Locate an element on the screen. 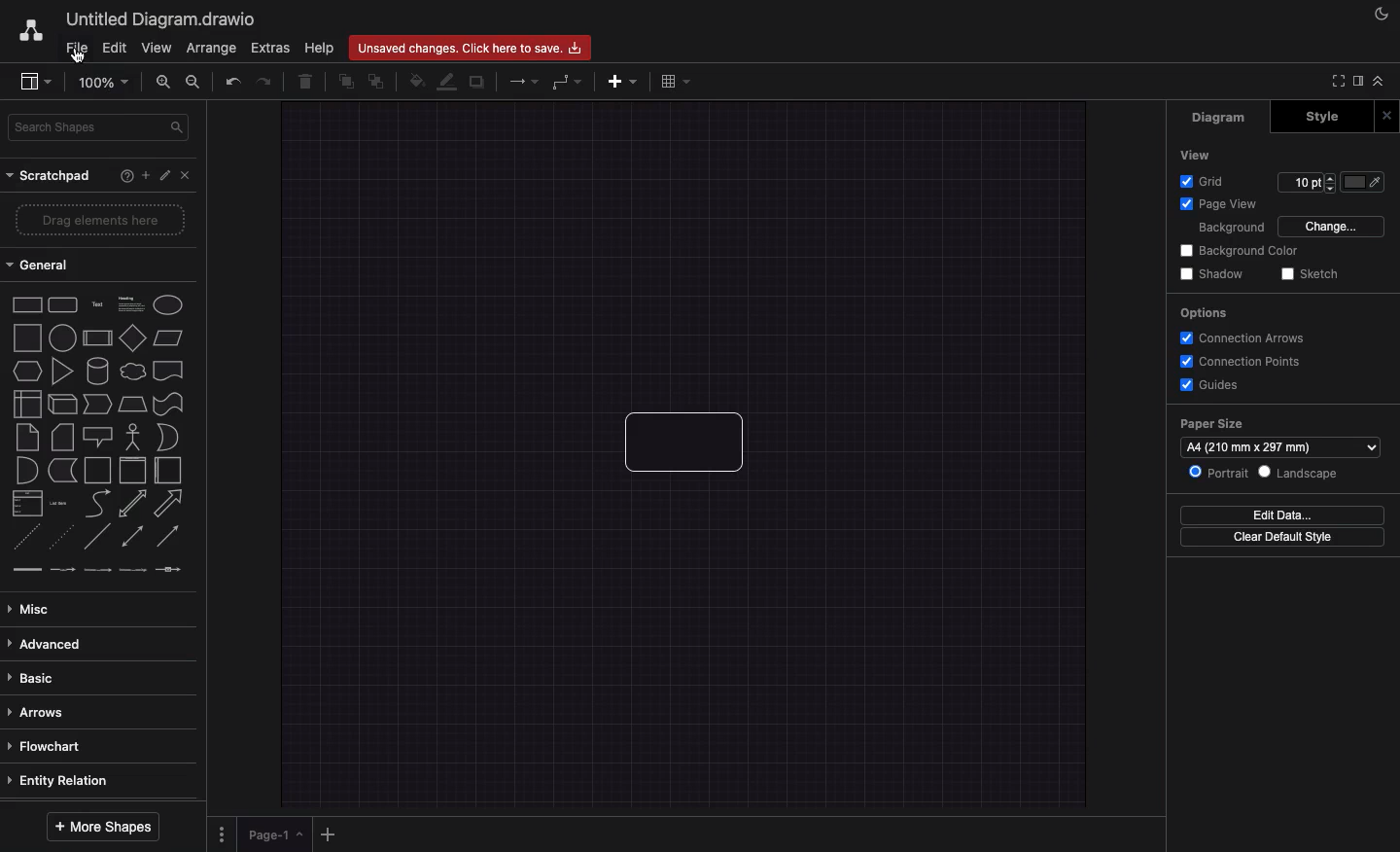 The width and height of the screenshot is (1400, 852). Landscape is located at coordinates (1307, 472).